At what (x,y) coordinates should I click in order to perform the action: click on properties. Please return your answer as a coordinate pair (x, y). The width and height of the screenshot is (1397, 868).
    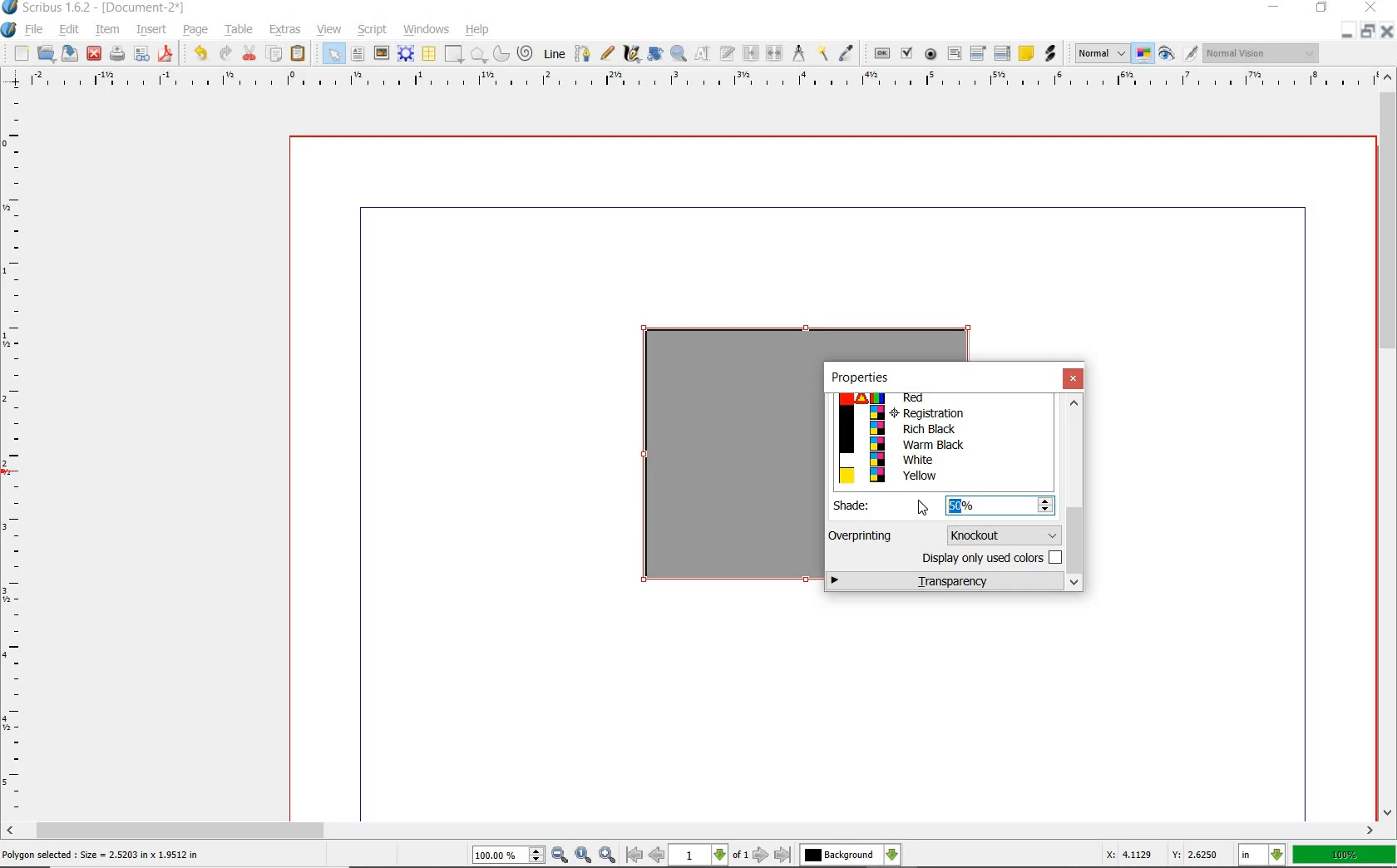
    Looking at the image, I should click on (859, 377).